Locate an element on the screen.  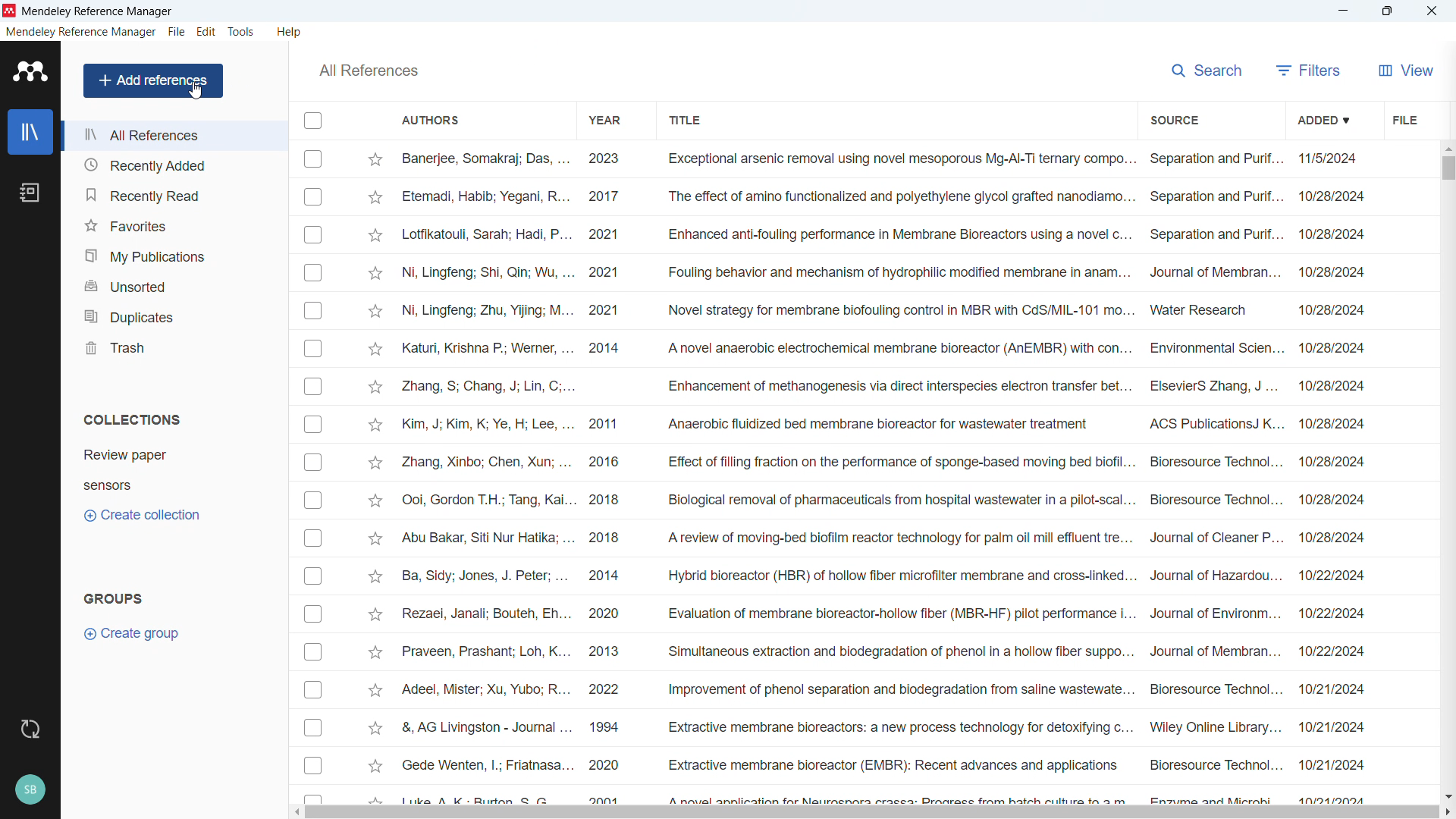
Collections  is located at coordinates (132, 419).